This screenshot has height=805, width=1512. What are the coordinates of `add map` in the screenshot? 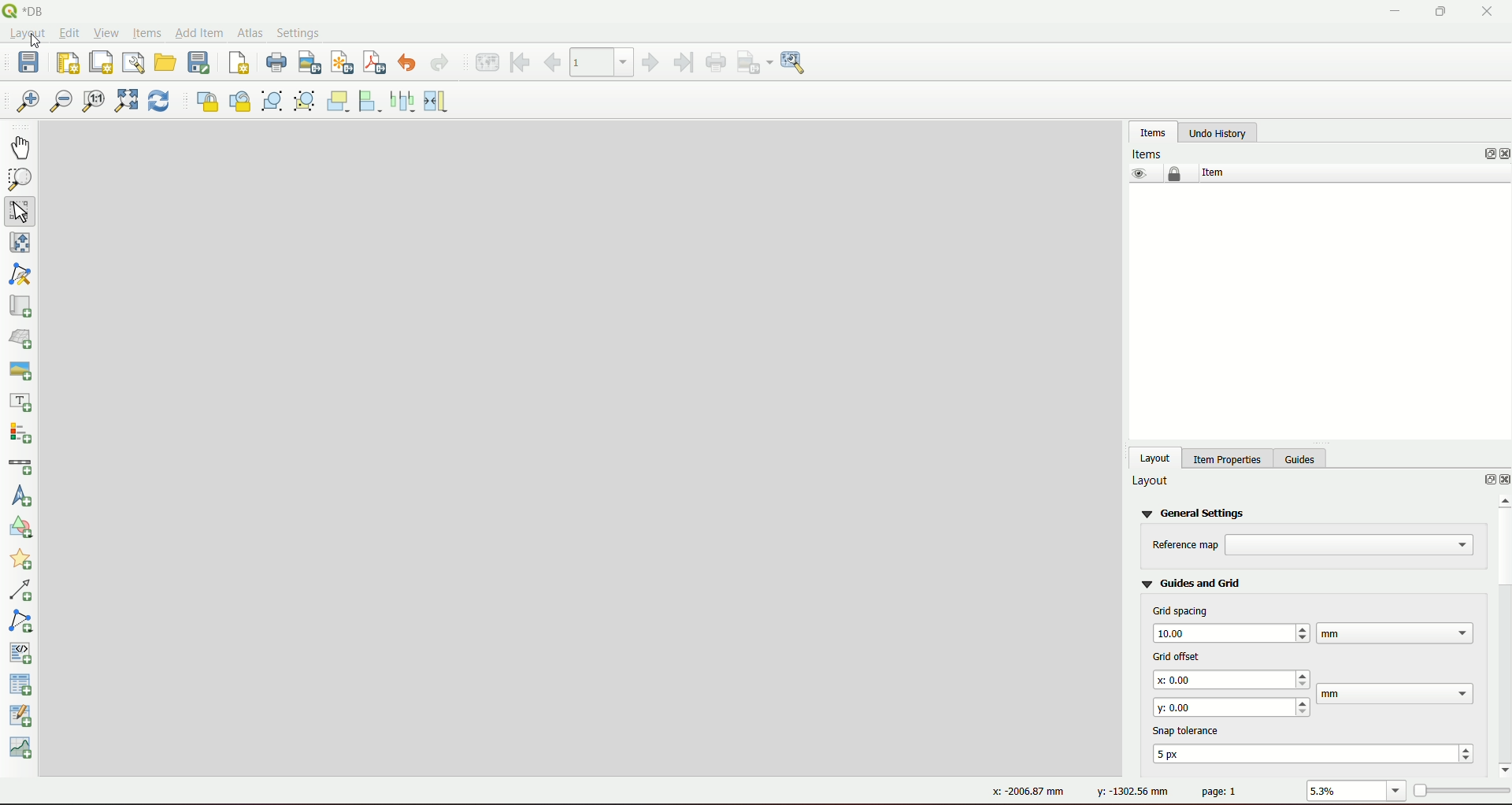 It's located at (20, 306).